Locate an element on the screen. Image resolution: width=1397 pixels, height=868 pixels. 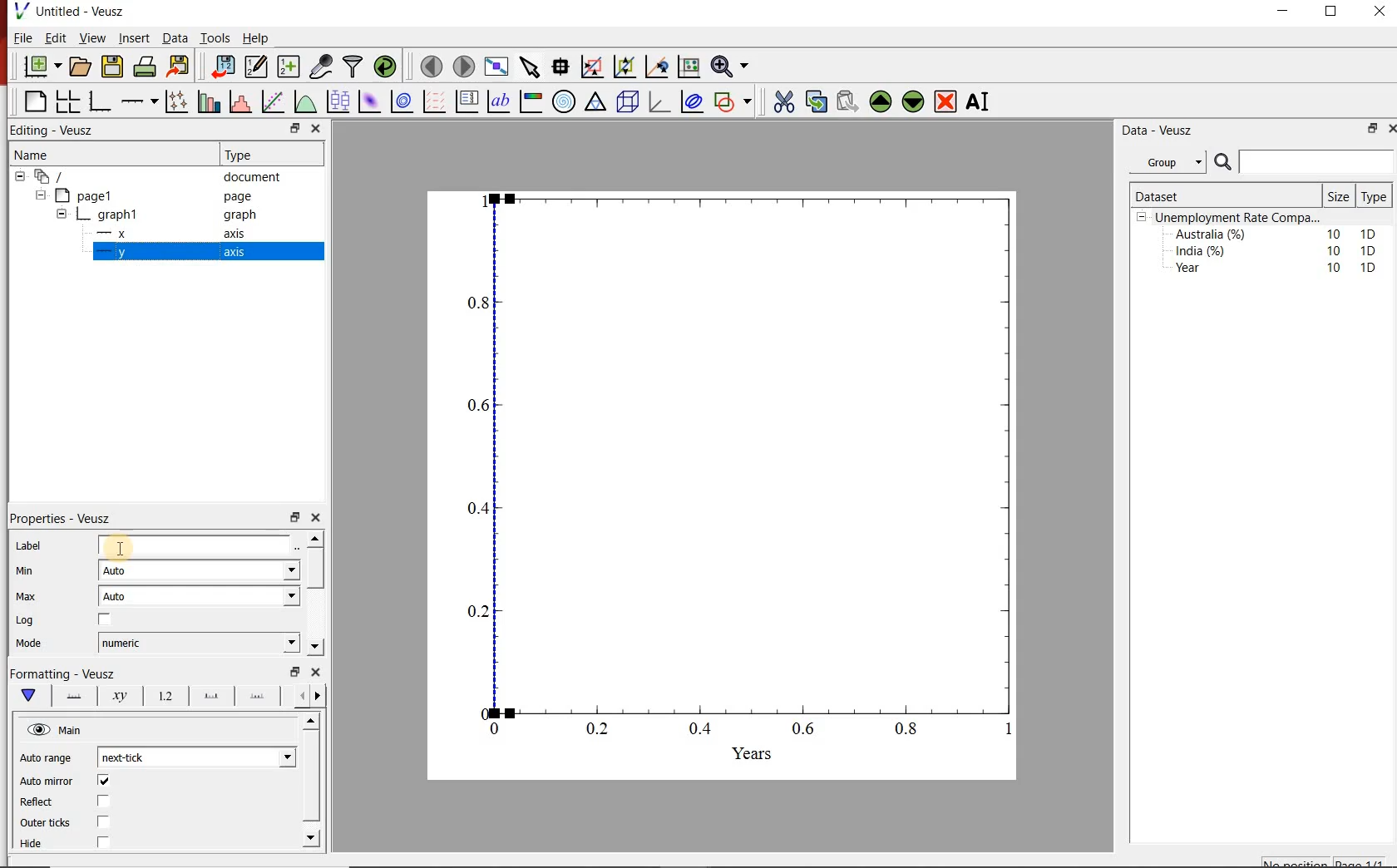
plot 2d datasets as contours is located at coordinates (401, 101).